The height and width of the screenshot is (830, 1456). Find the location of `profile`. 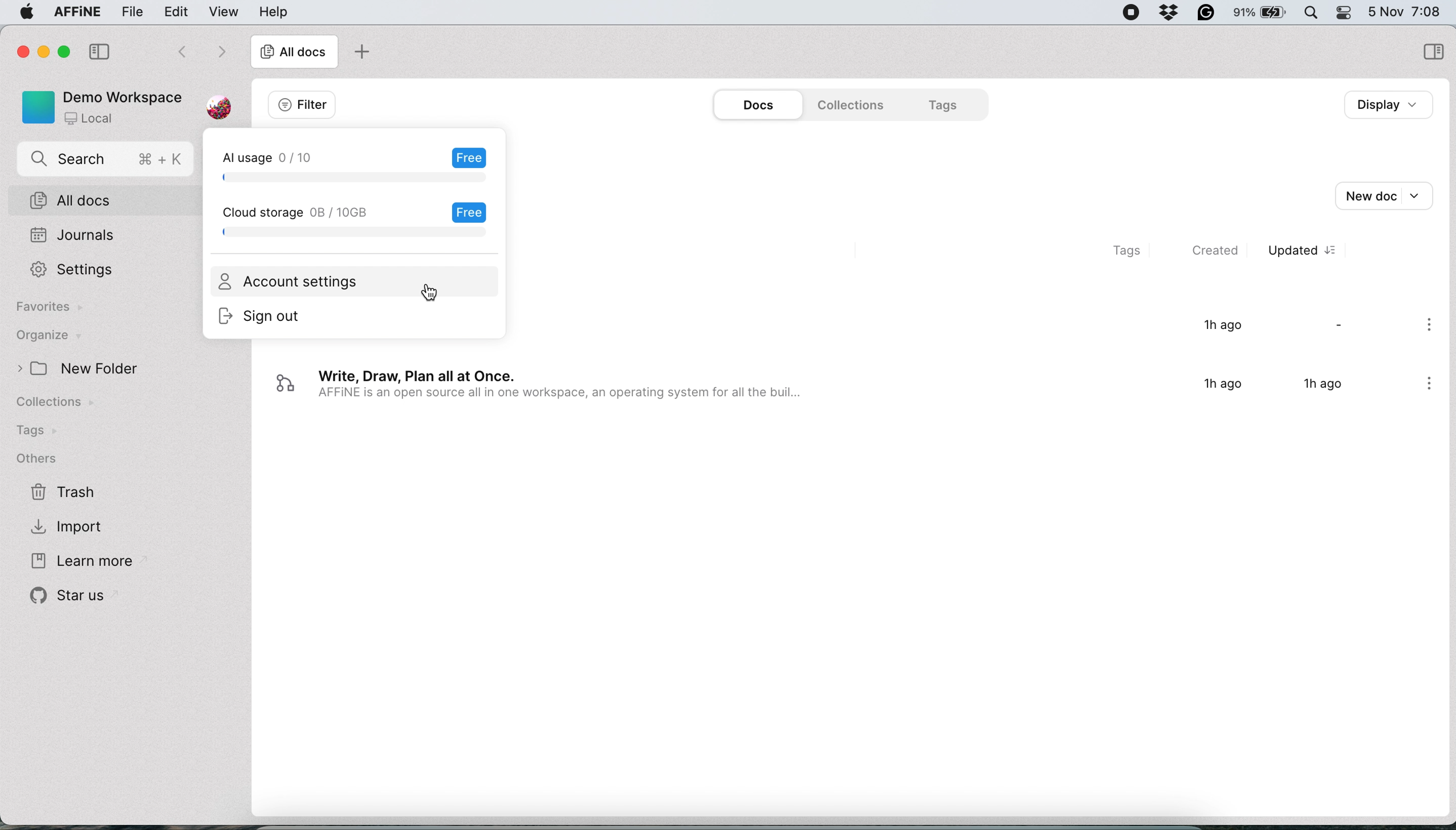

profile is located at coordinates (225, 103).